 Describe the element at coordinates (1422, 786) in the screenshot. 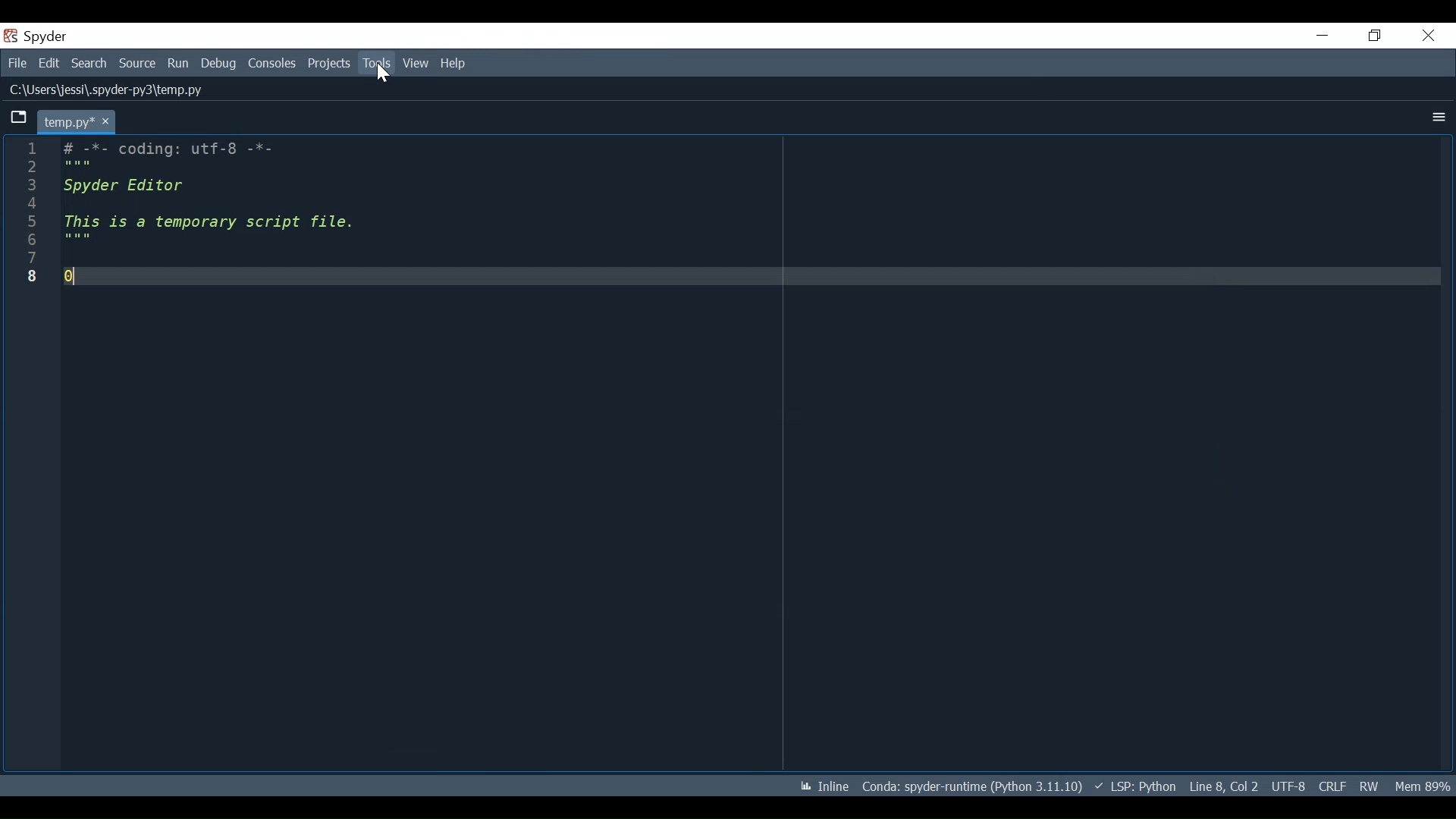

I see `Memory Usage` at that location.